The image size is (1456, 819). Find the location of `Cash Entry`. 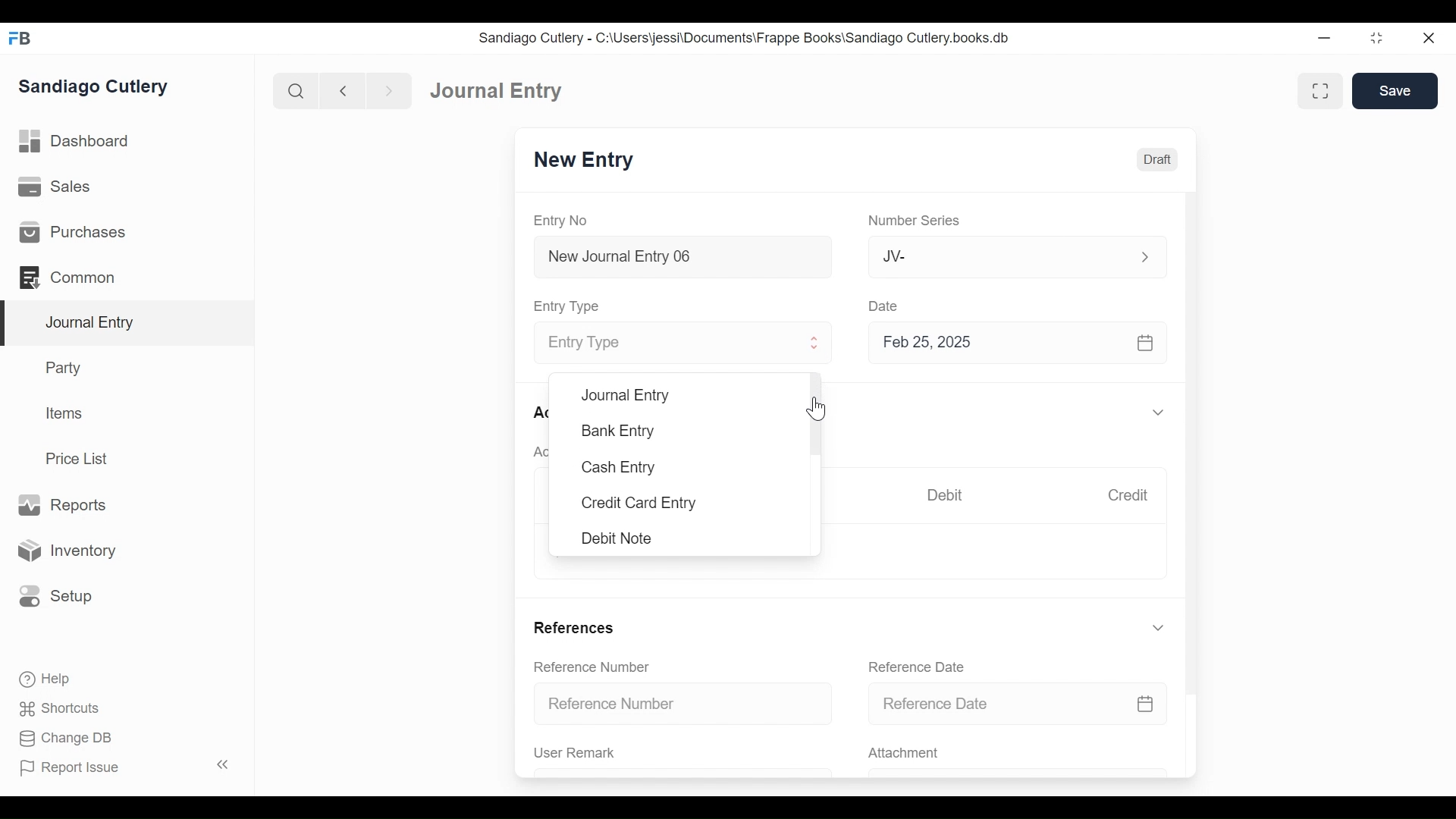

Cash Entry is located at coordinates (617, 469).